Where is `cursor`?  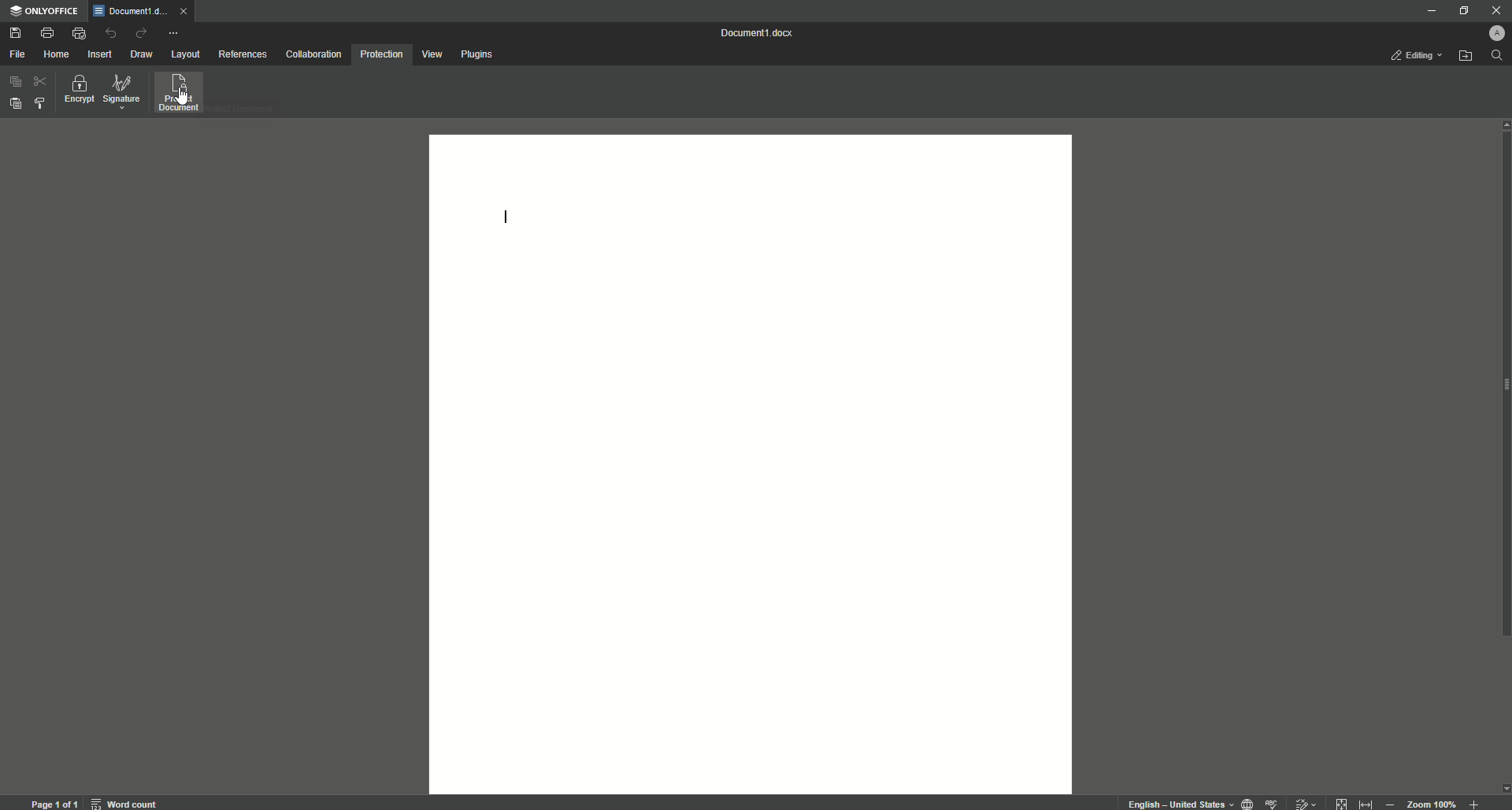
cursor is located at coordinates (183, 97).